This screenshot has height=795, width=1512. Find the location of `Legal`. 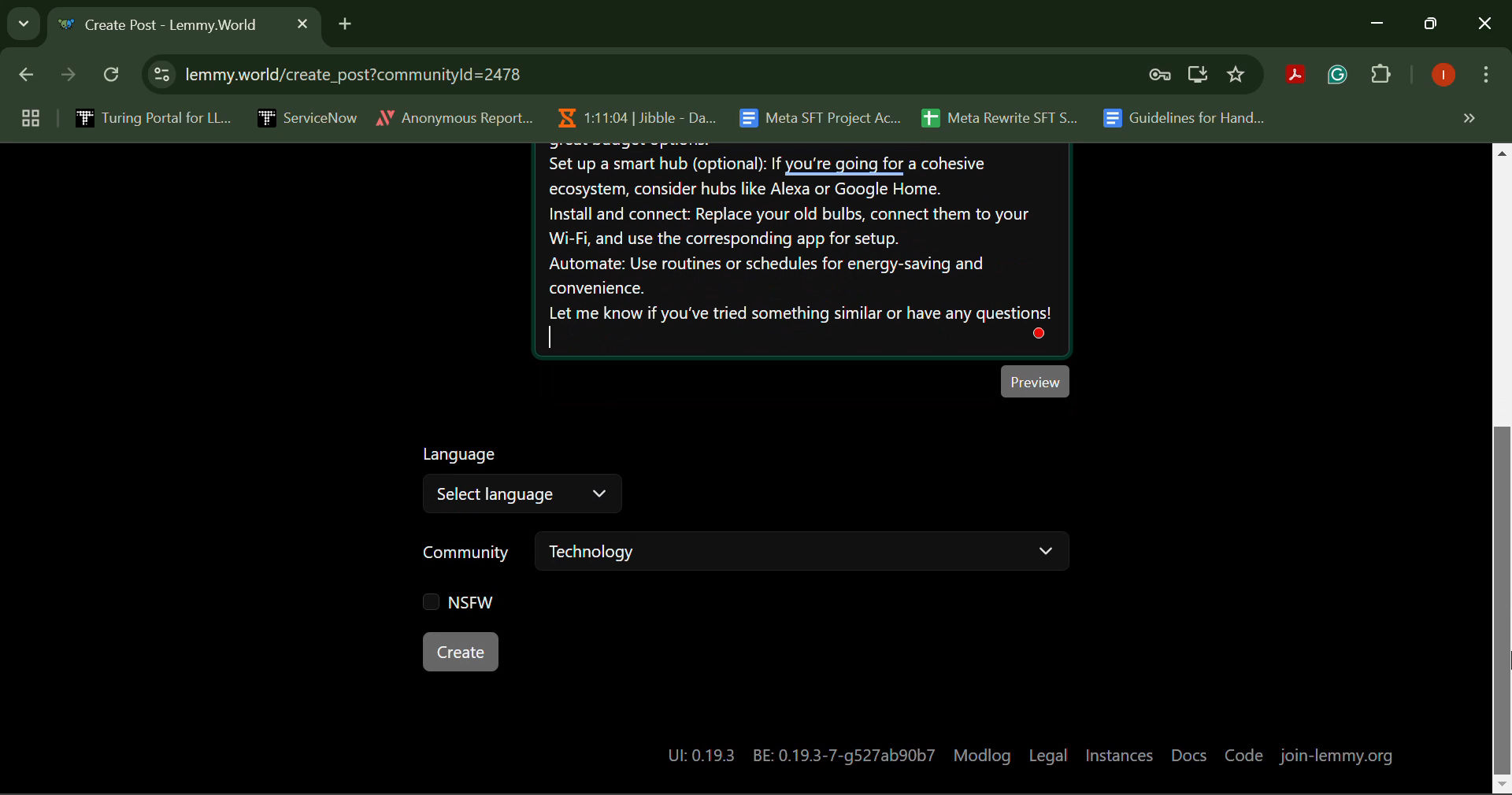

Legal is located at coordinates (1049, 751).